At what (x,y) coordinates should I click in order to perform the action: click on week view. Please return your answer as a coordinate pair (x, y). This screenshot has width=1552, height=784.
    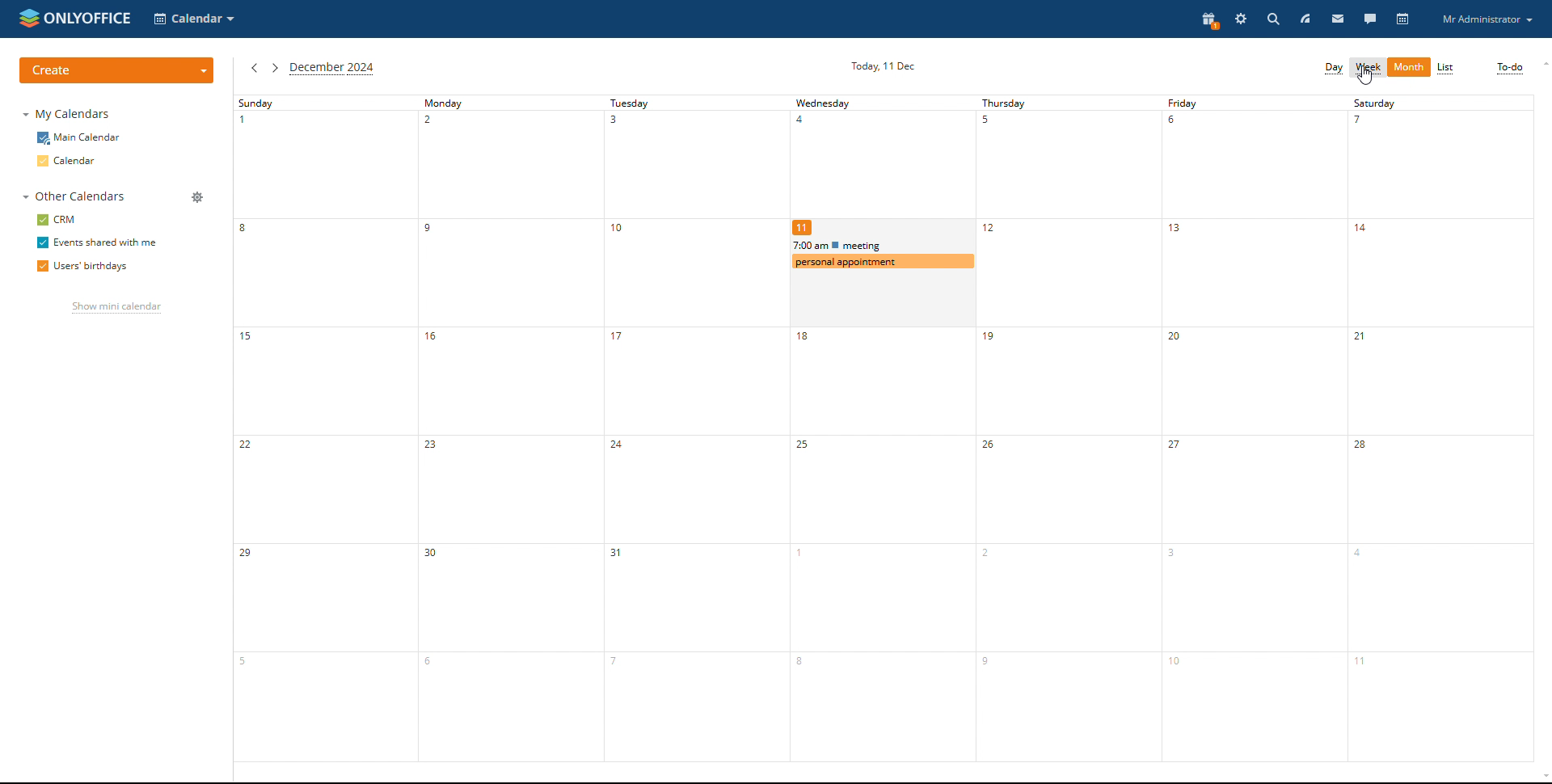
    Looking at the image, I should click on (1369, 68).